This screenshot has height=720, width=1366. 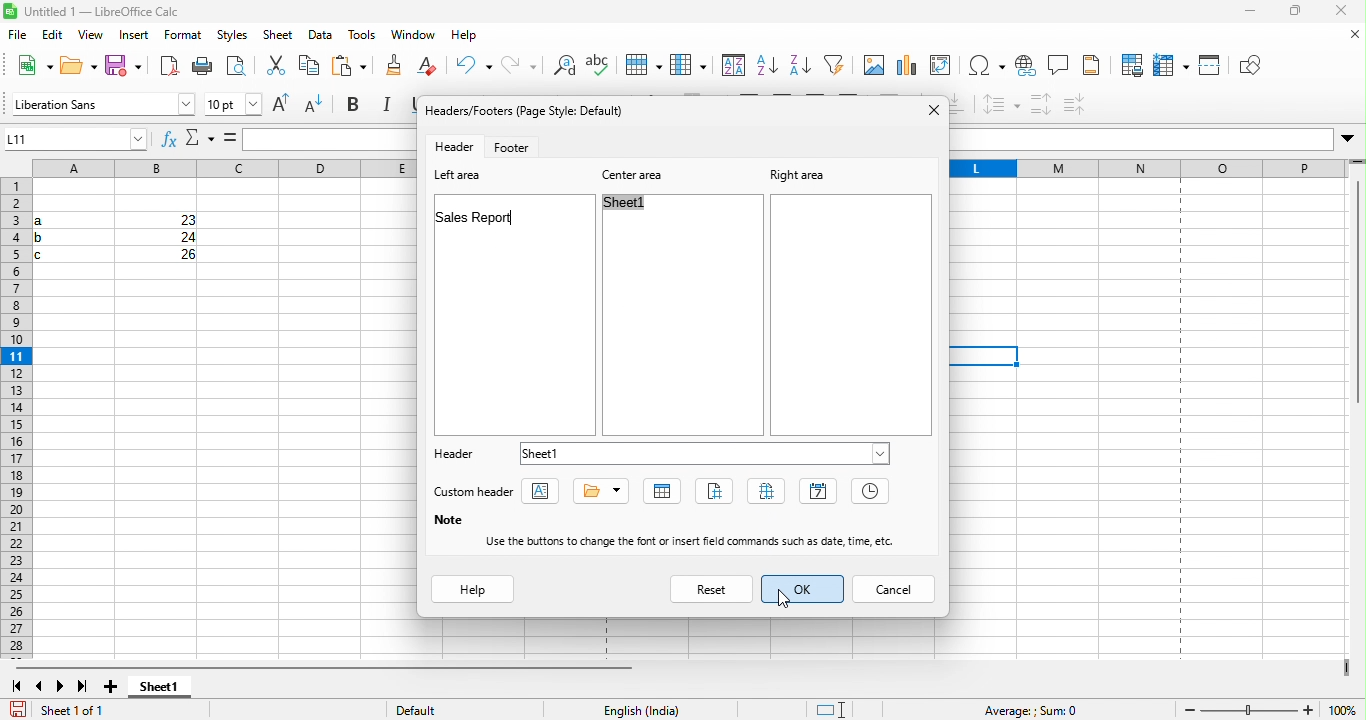 I want to click on spelling, so click(x=561, y=69).